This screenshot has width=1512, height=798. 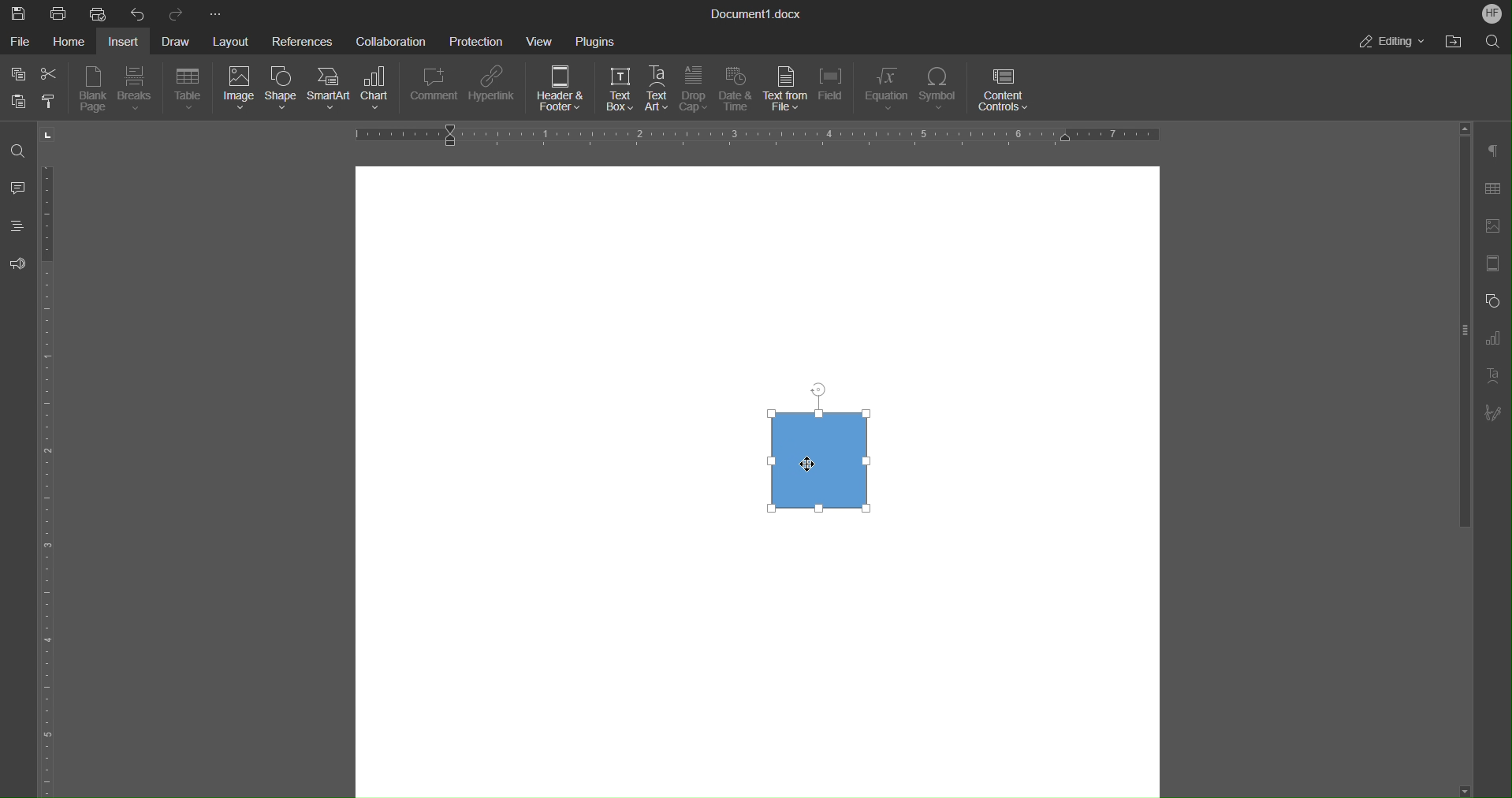 I want to click on Text Art, so click(x=1496, y=376).